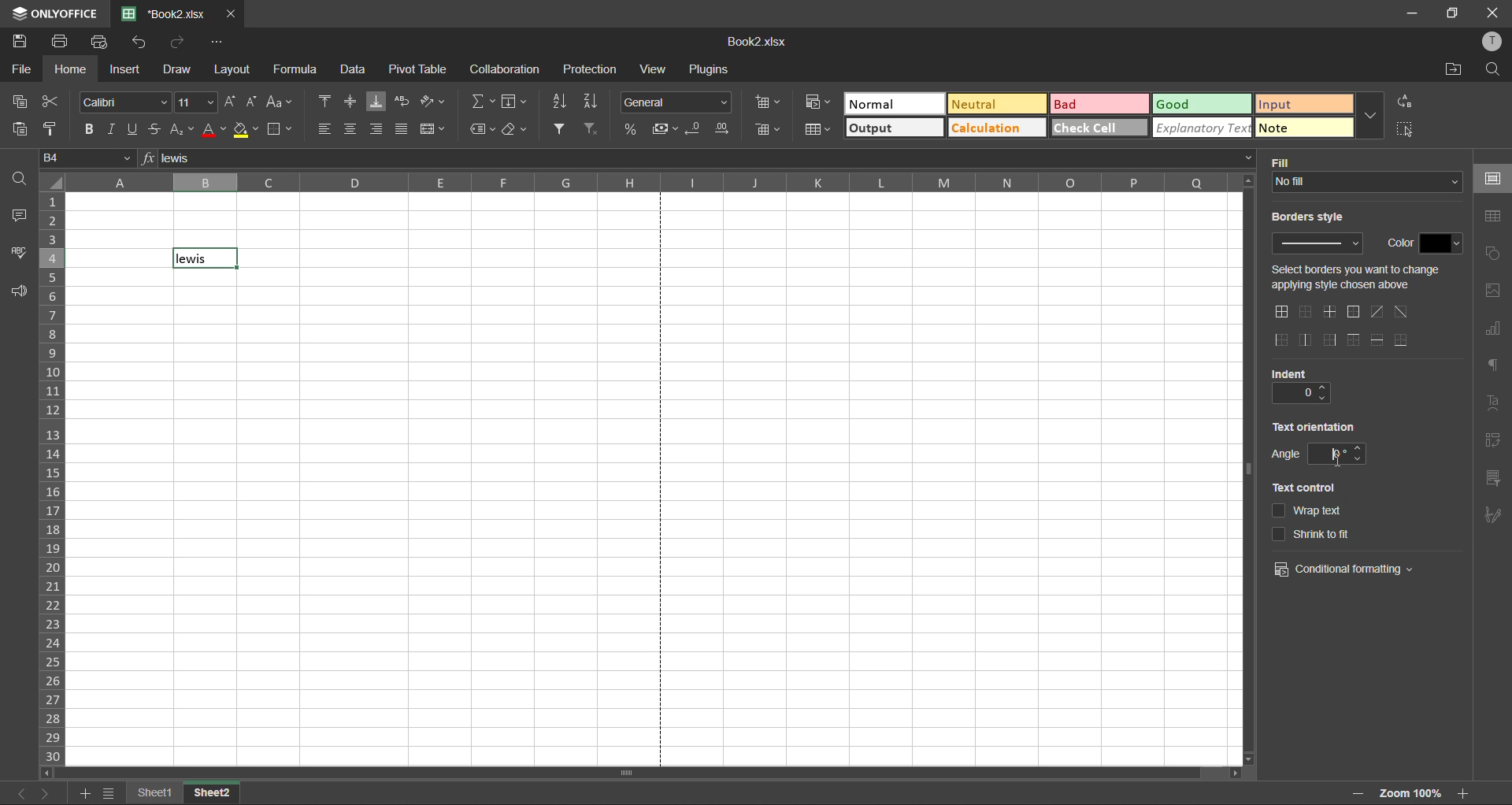  Describe the element at coordinates (596, 101) in the screenshot. I see `sort descending` at that location.